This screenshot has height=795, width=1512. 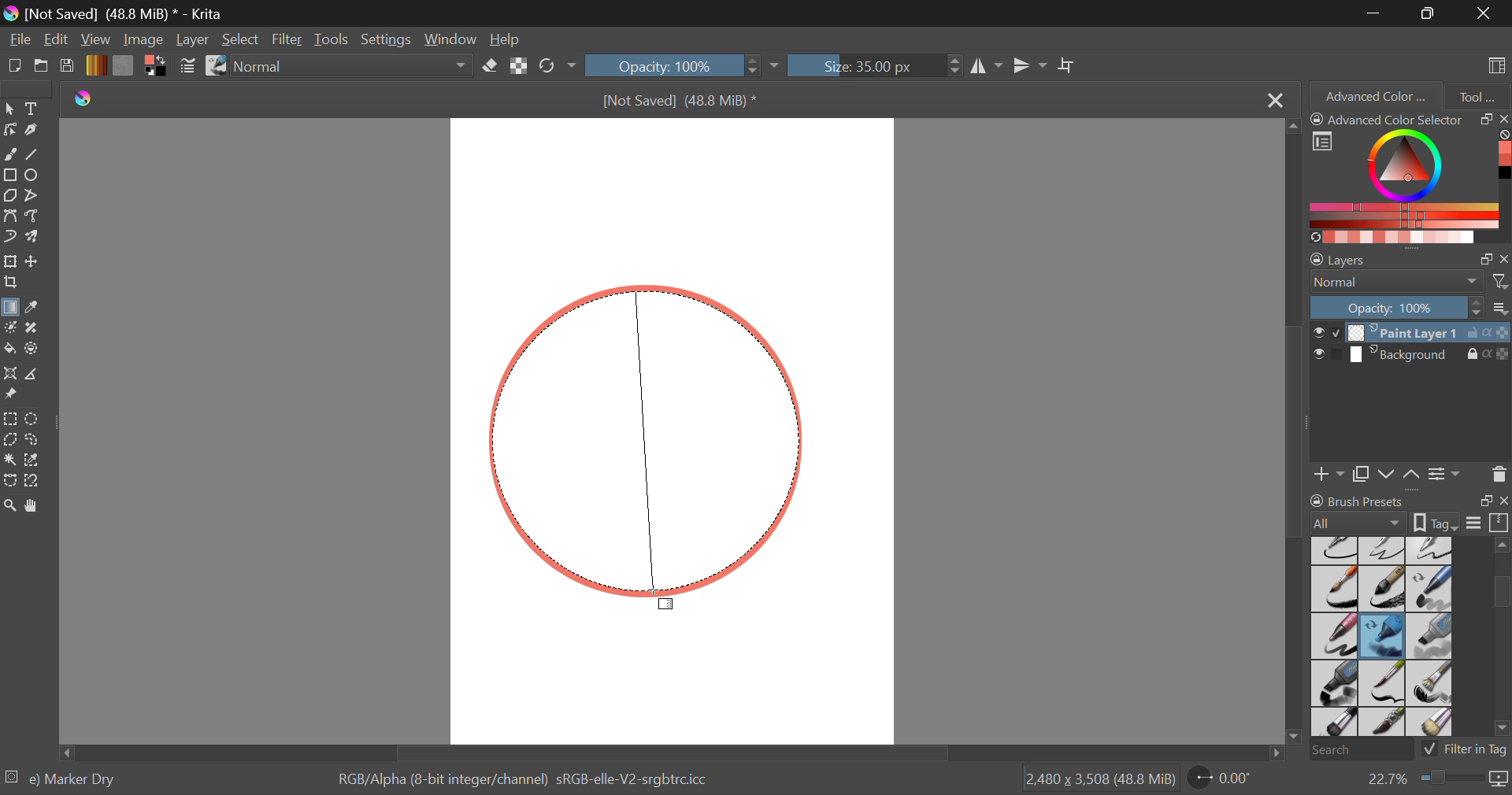 What do you see at coordinates (13, 218) in the screenshot?
I see `Bezier Curve` at bounding box center [13, 218].